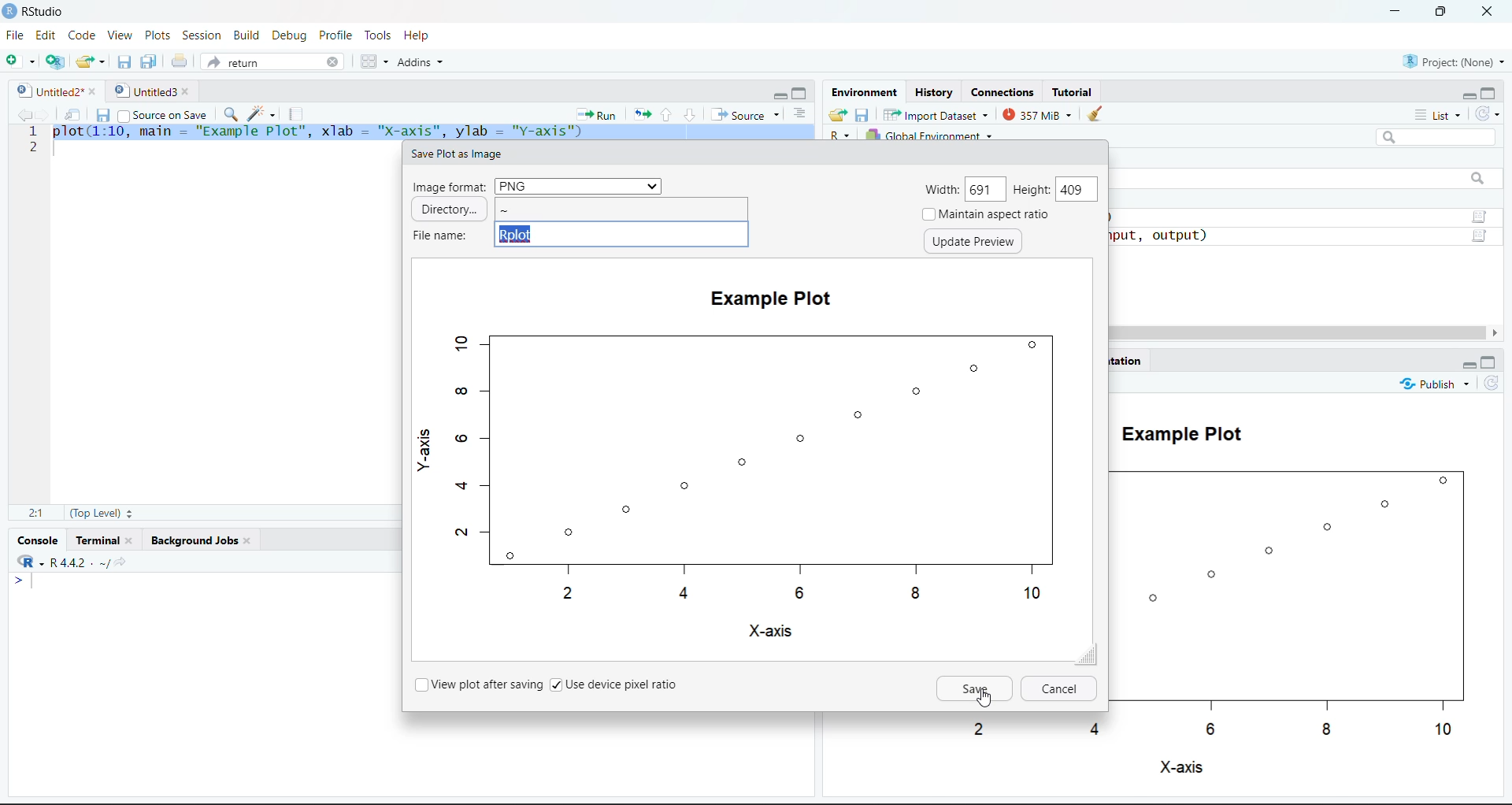  I want to click on Go to previous section/chunk (Ctrl + PgUp), so click(666, 114).